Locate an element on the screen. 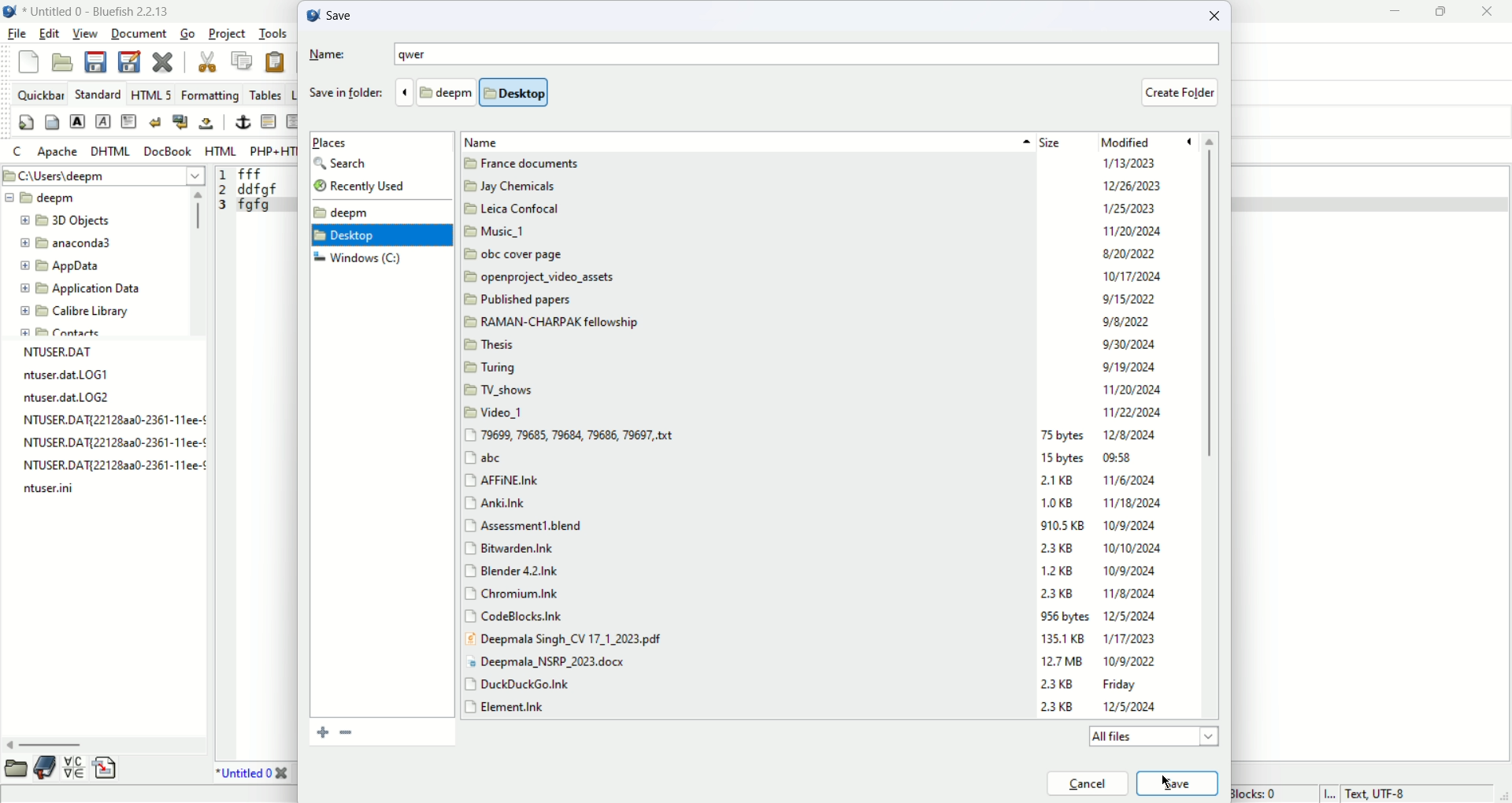 Image resolution: width=1512 pixels, height=803 pixels. name is located at coordinates (624, 436).